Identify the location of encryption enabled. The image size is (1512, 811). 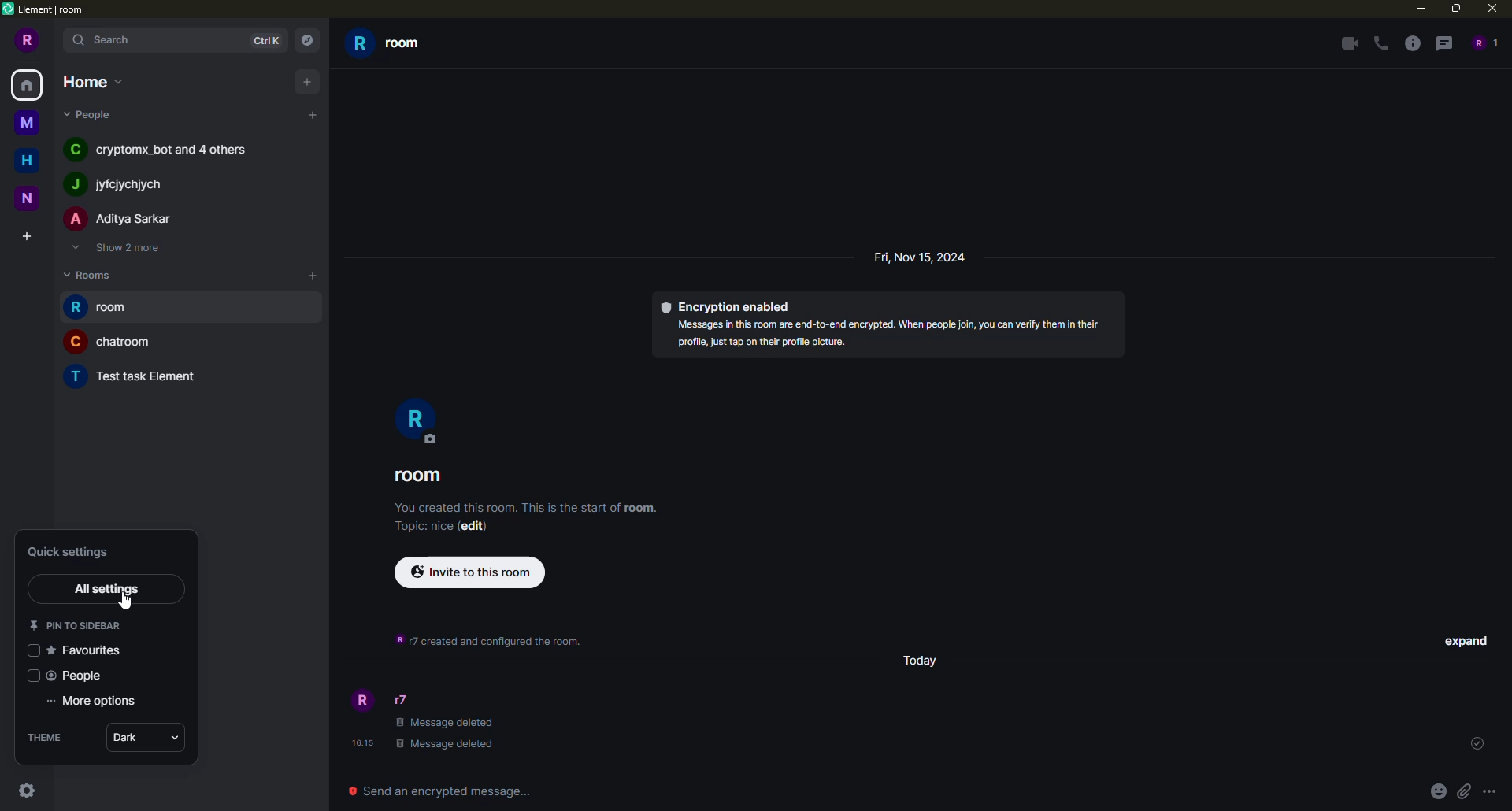
(732, 306).